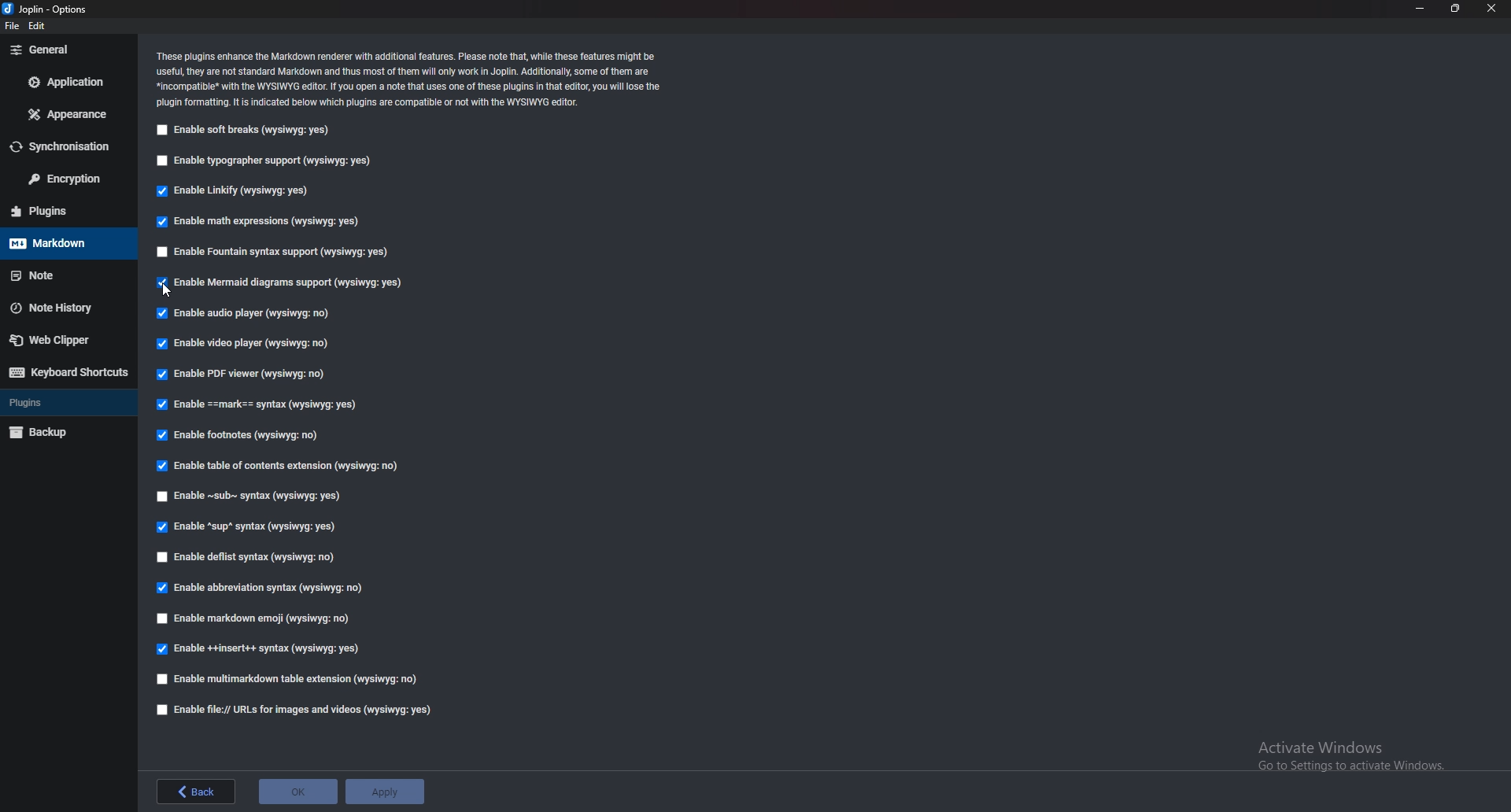 The image size is (1511, 812). What do you see at coordinates (65, 340) in the screenshot?
I see `Webclipper` at bounding box center [65, 340].